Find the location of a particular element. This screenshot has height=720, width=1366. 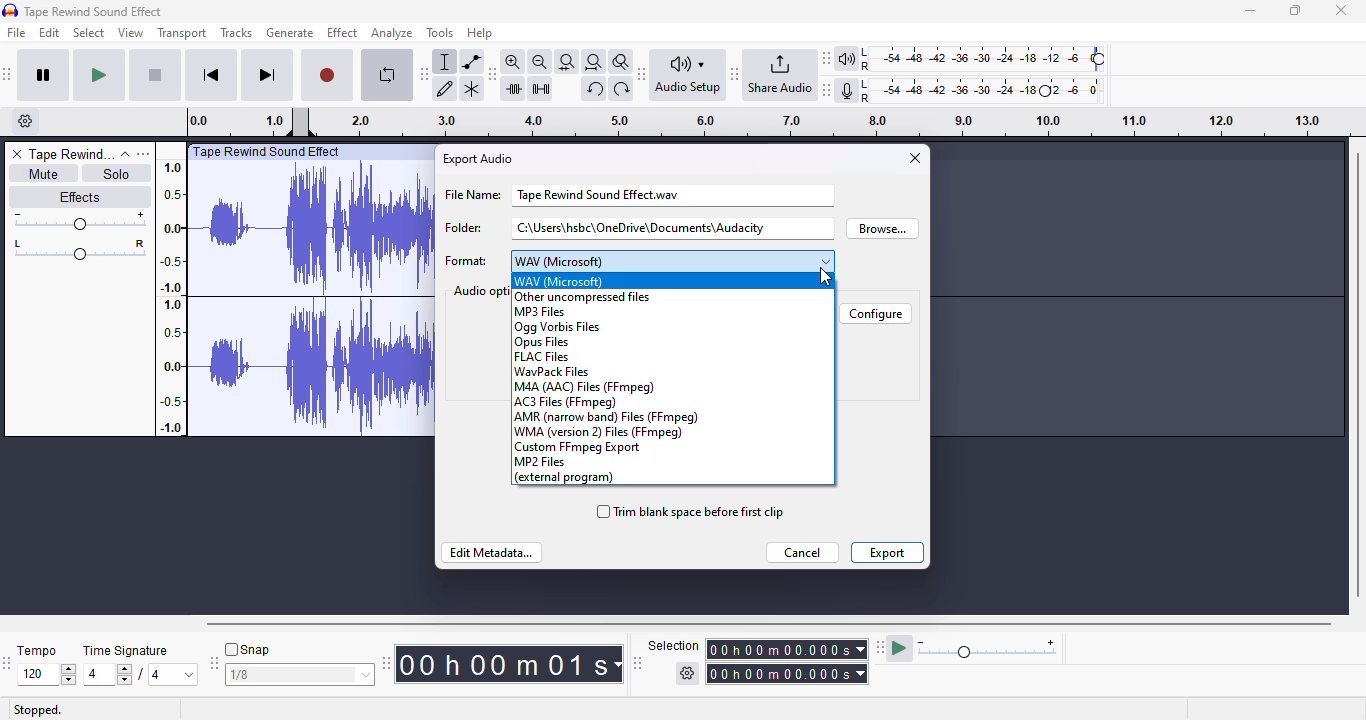

external program is located at coordinates (563, 478).